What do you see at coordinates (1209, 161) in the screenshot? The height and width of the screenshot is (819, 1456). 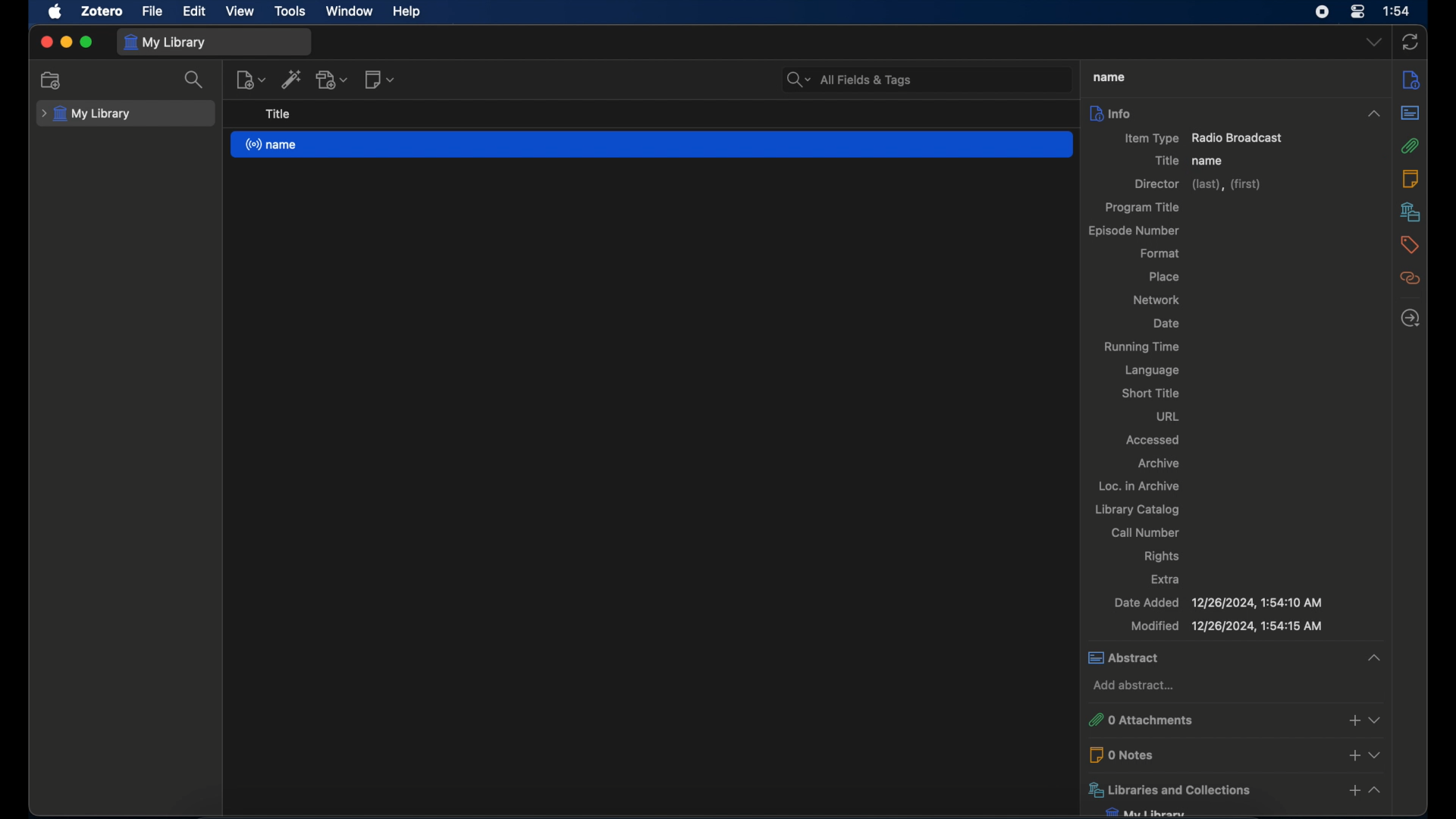 I see `name` at bounding box center [1209, 161].